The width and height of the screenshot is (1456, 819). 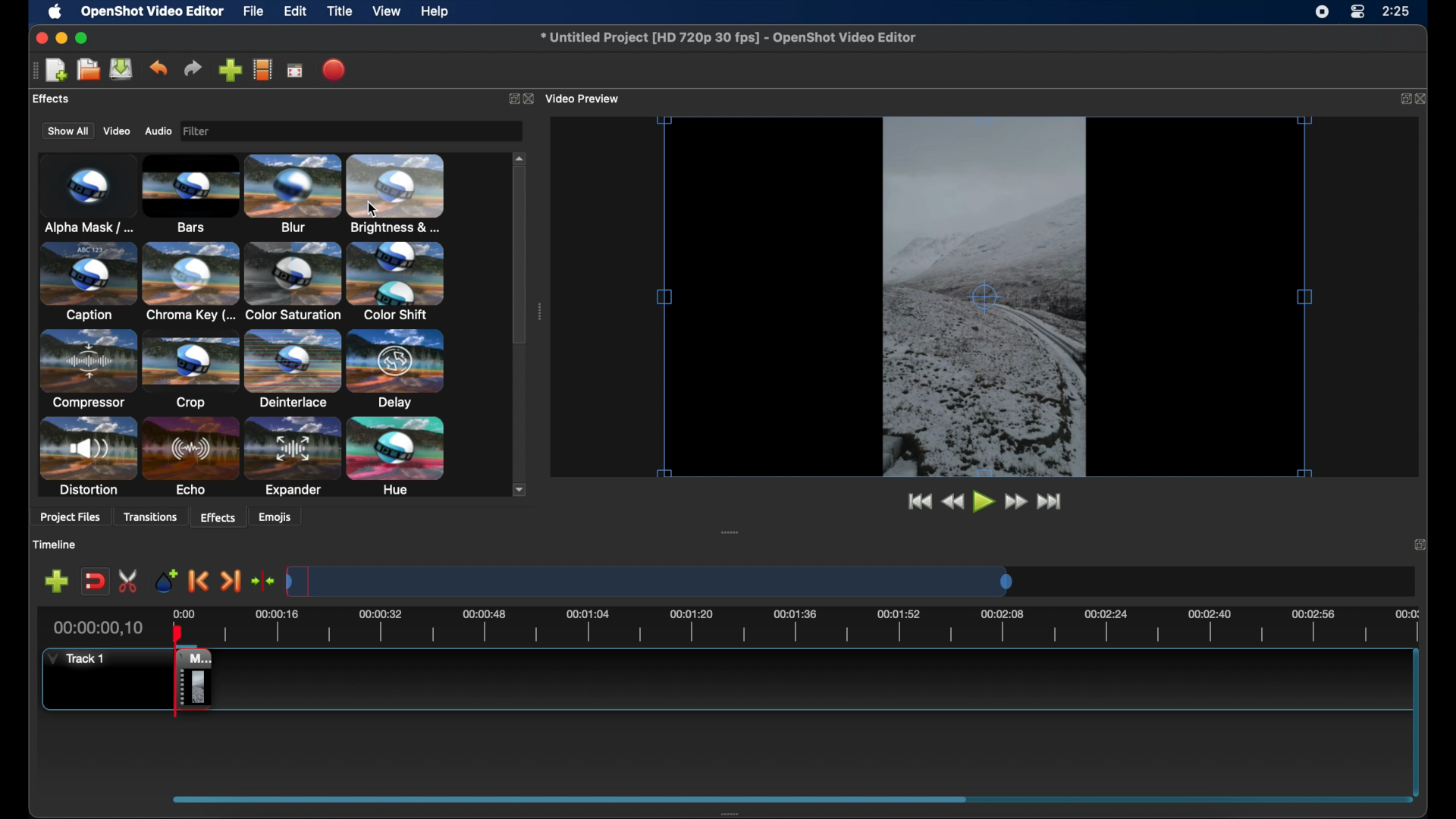 What do you see at coordinates (185, 611) in the screenshot?
I see `0.00` at bounding box center [185, 611].